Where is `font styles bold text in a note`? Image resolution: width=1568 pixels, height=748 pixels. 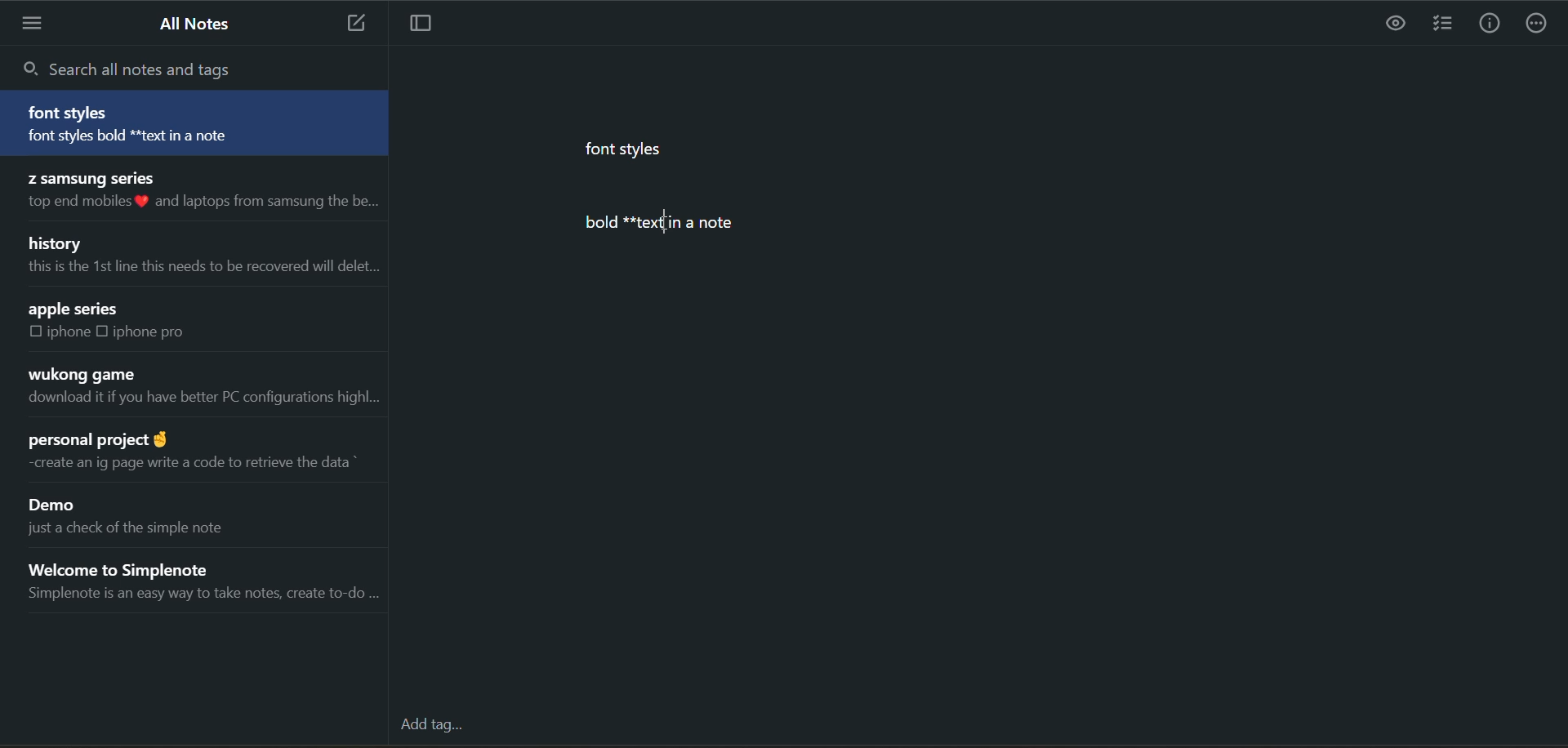 font styles bold text in a note is located at coordinates (154, 138).